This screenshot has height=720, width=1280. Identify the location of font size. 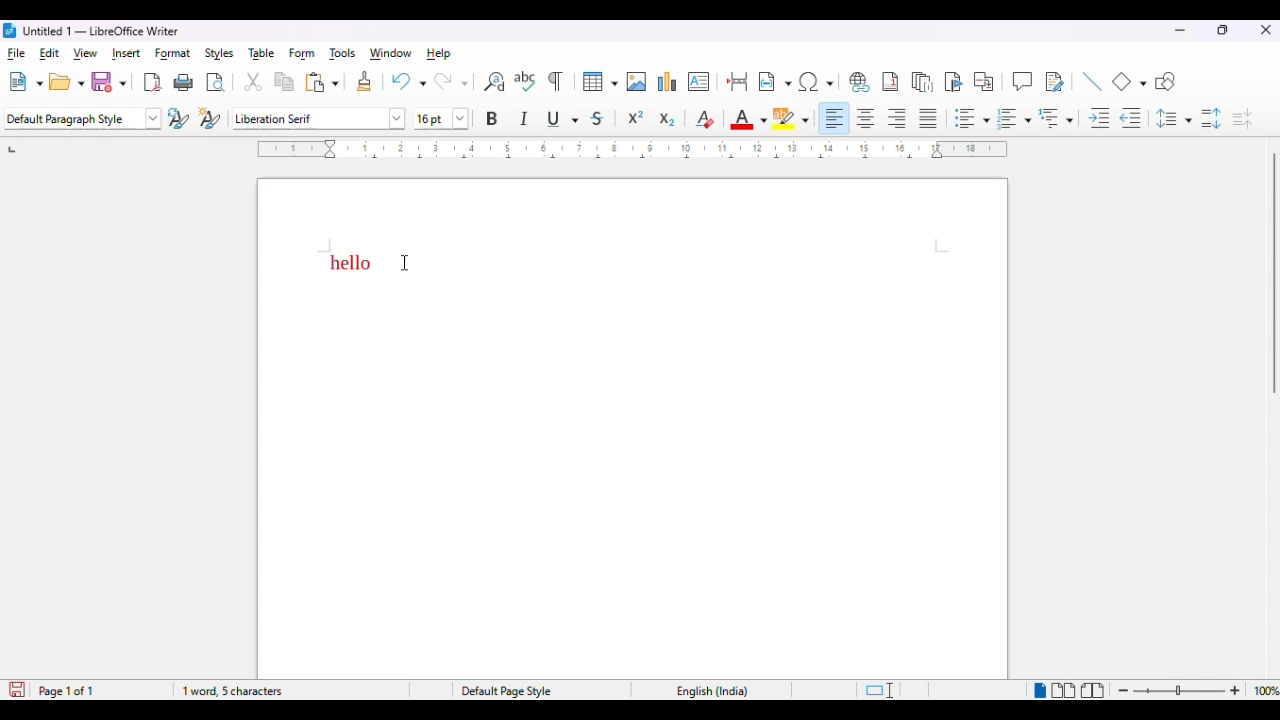
(442, 119).